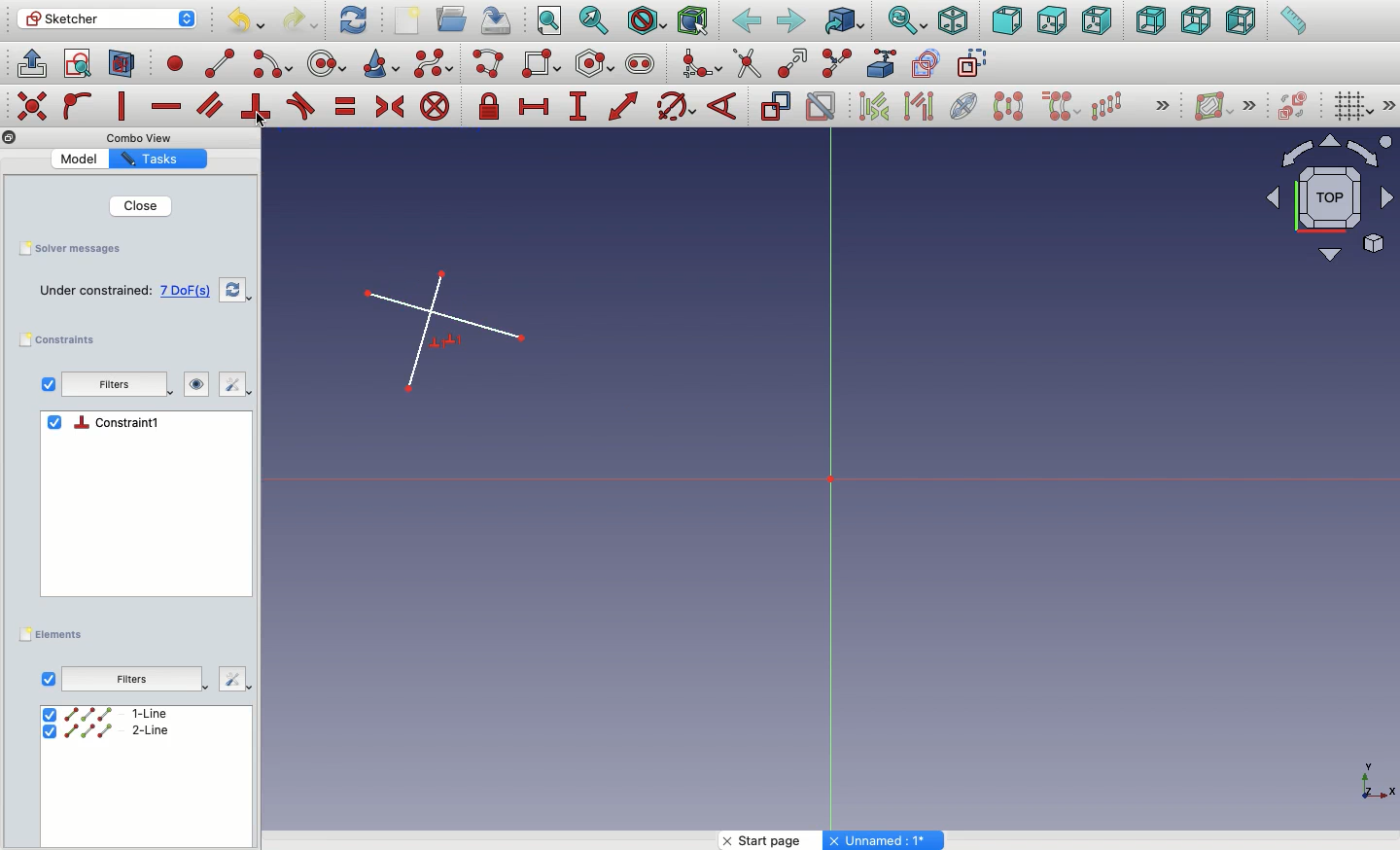  I want to click on New, so click(409, 20).